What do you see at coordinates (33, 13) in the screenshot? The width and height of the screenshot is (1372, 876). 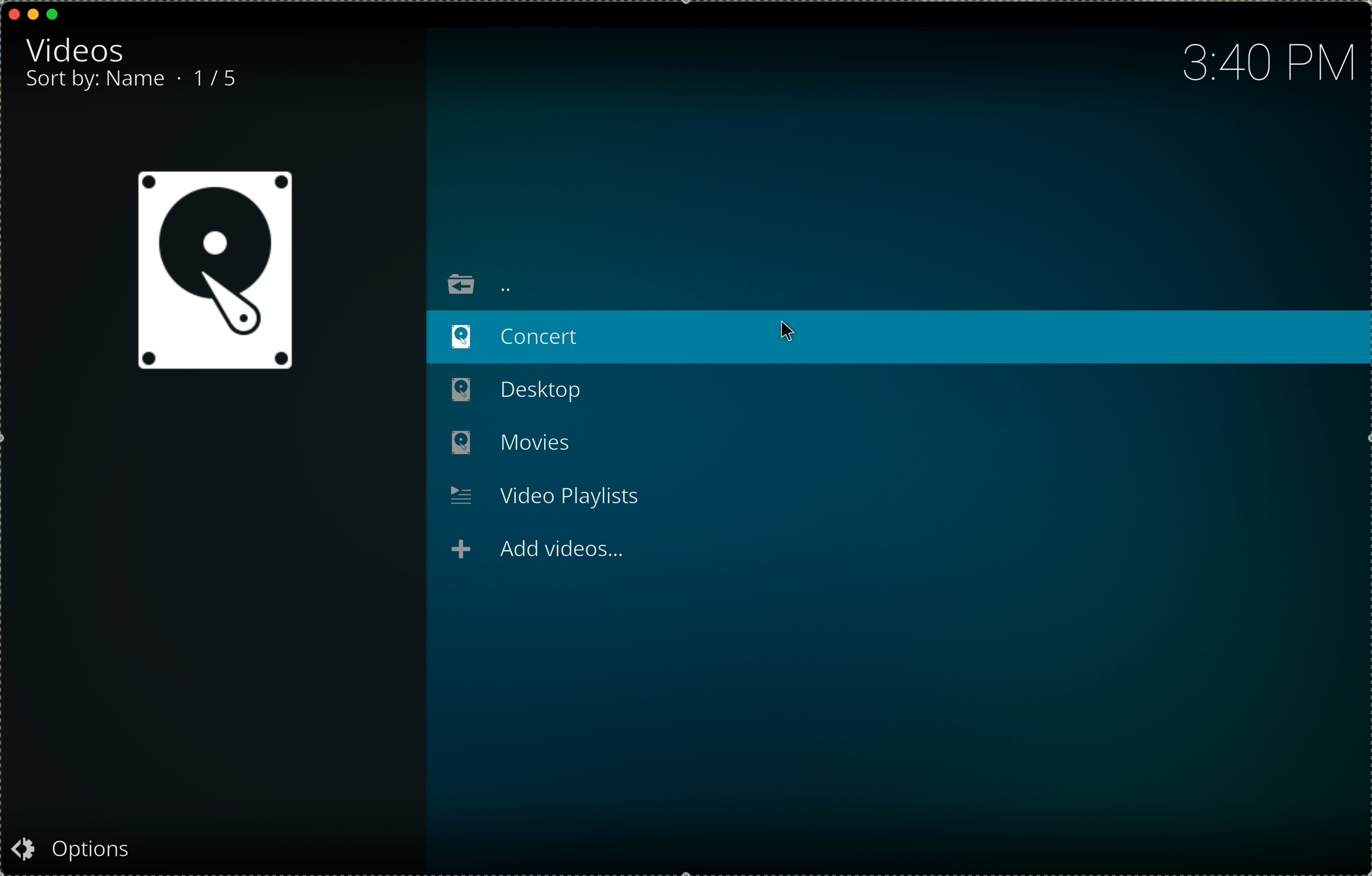 I see `minimise` at bounding box center [33, 13].